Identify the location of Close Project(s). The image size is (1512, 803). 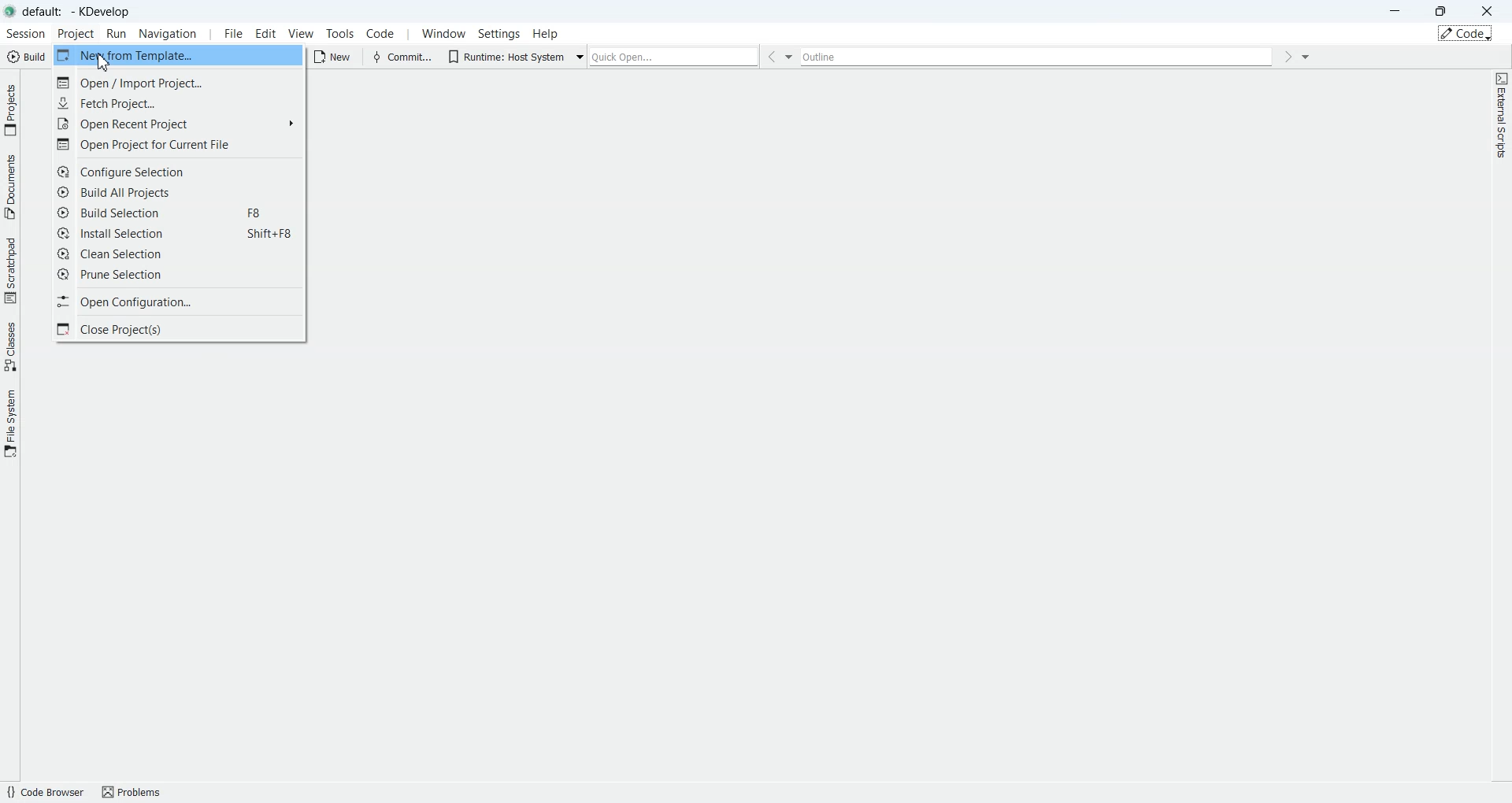
(179, 329).